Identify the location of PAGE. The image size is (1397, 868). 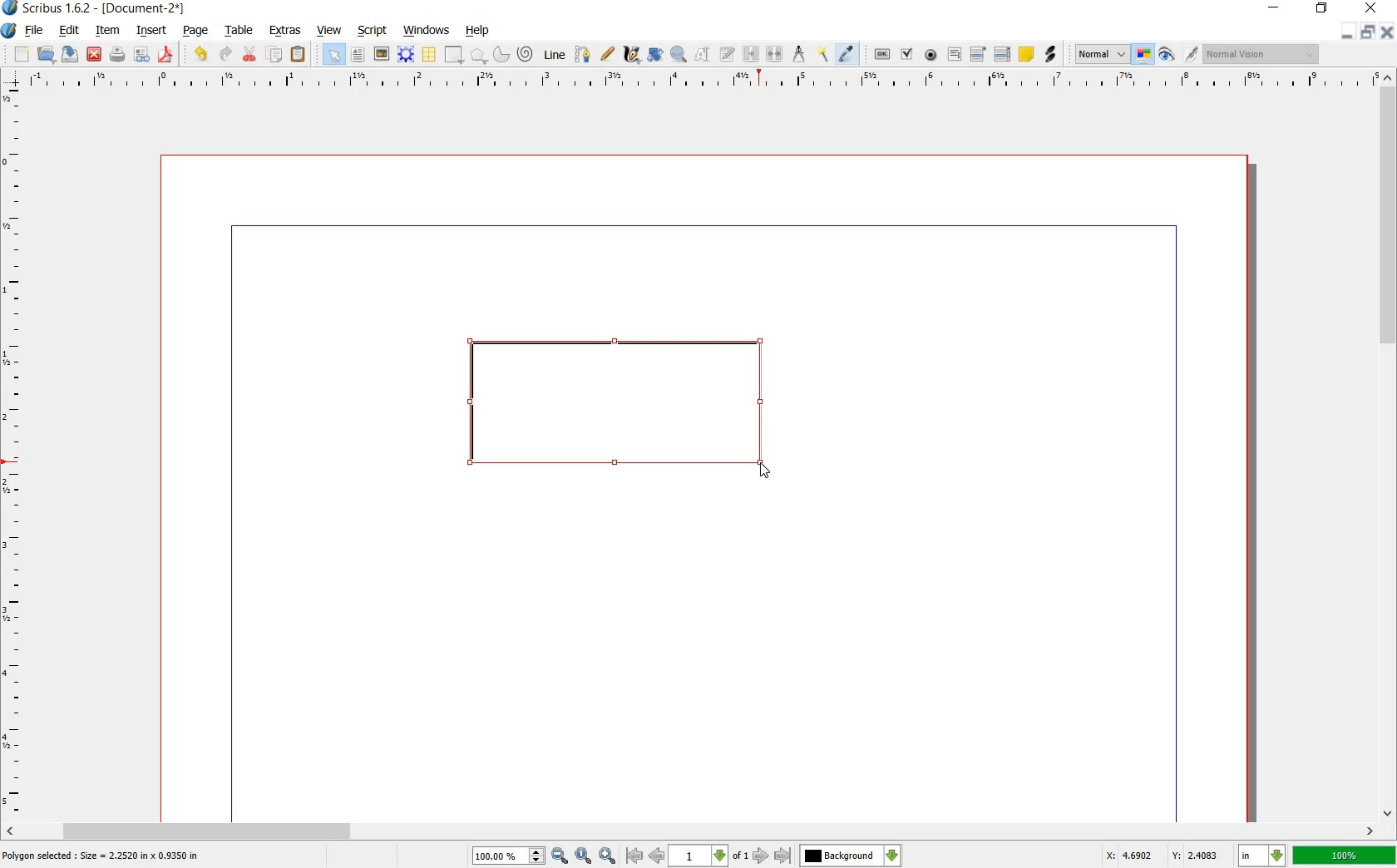
(195, 32).